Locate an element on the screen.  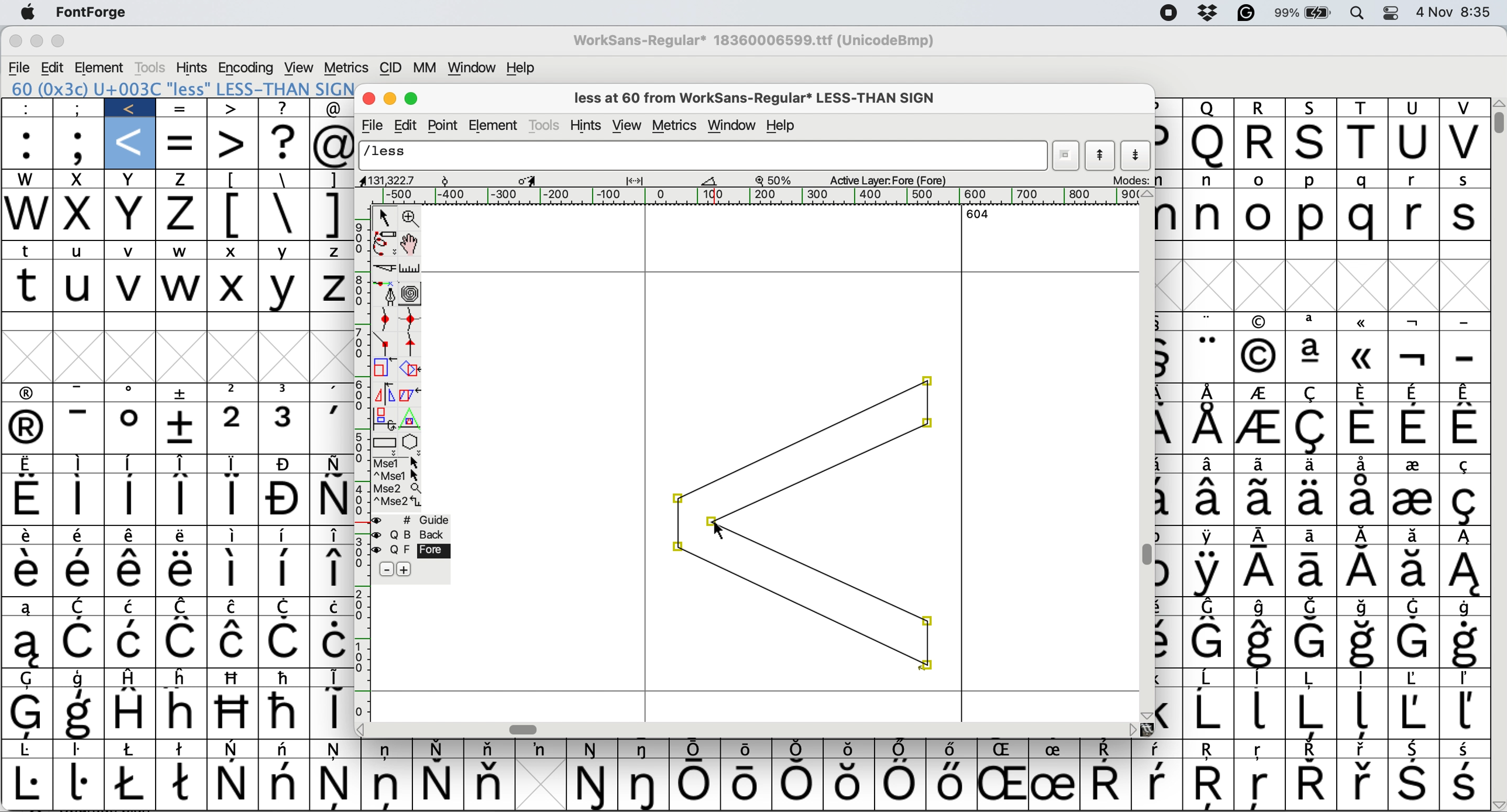
Symbol is located at coordinates (1360, 358).